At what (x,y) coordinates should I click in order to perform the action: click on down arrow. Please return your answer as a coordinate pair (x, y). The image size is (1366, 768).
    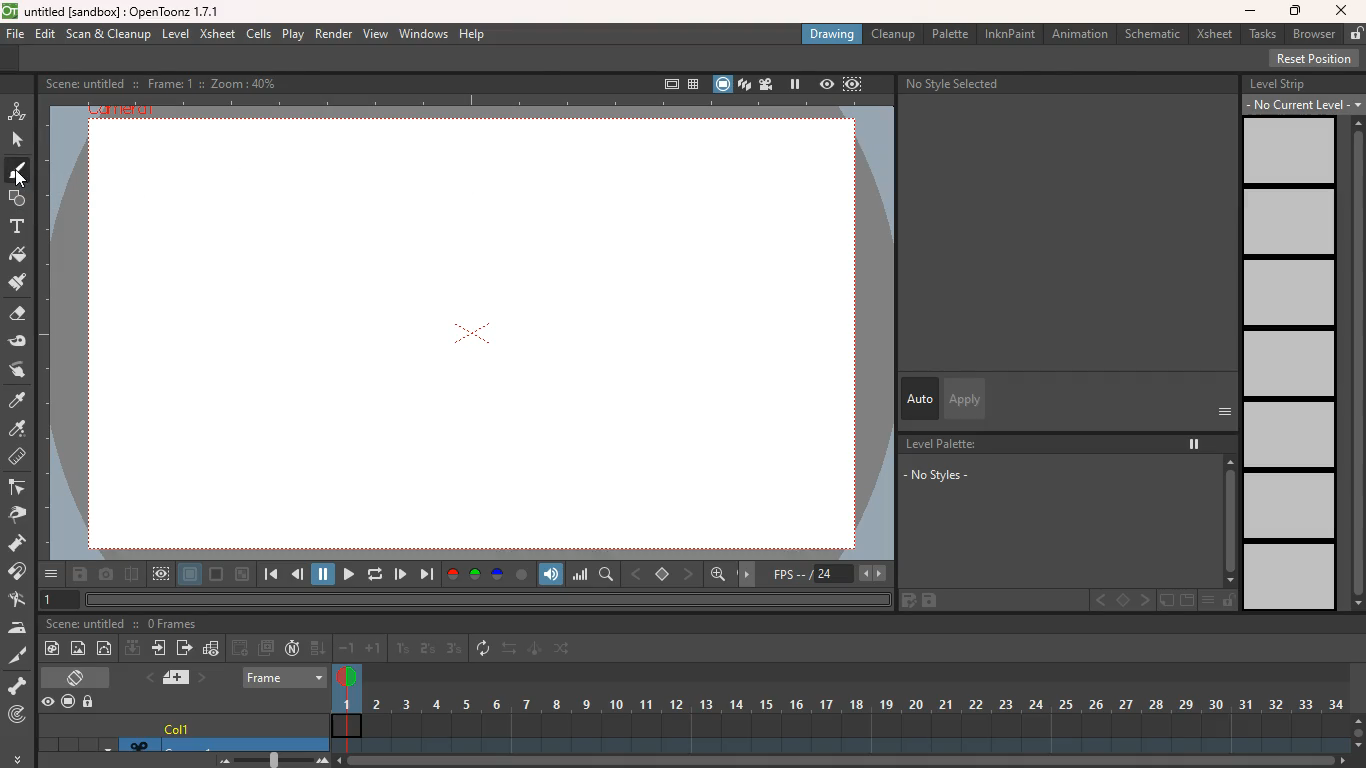
    Looking at the image, I should click on (105, 745).